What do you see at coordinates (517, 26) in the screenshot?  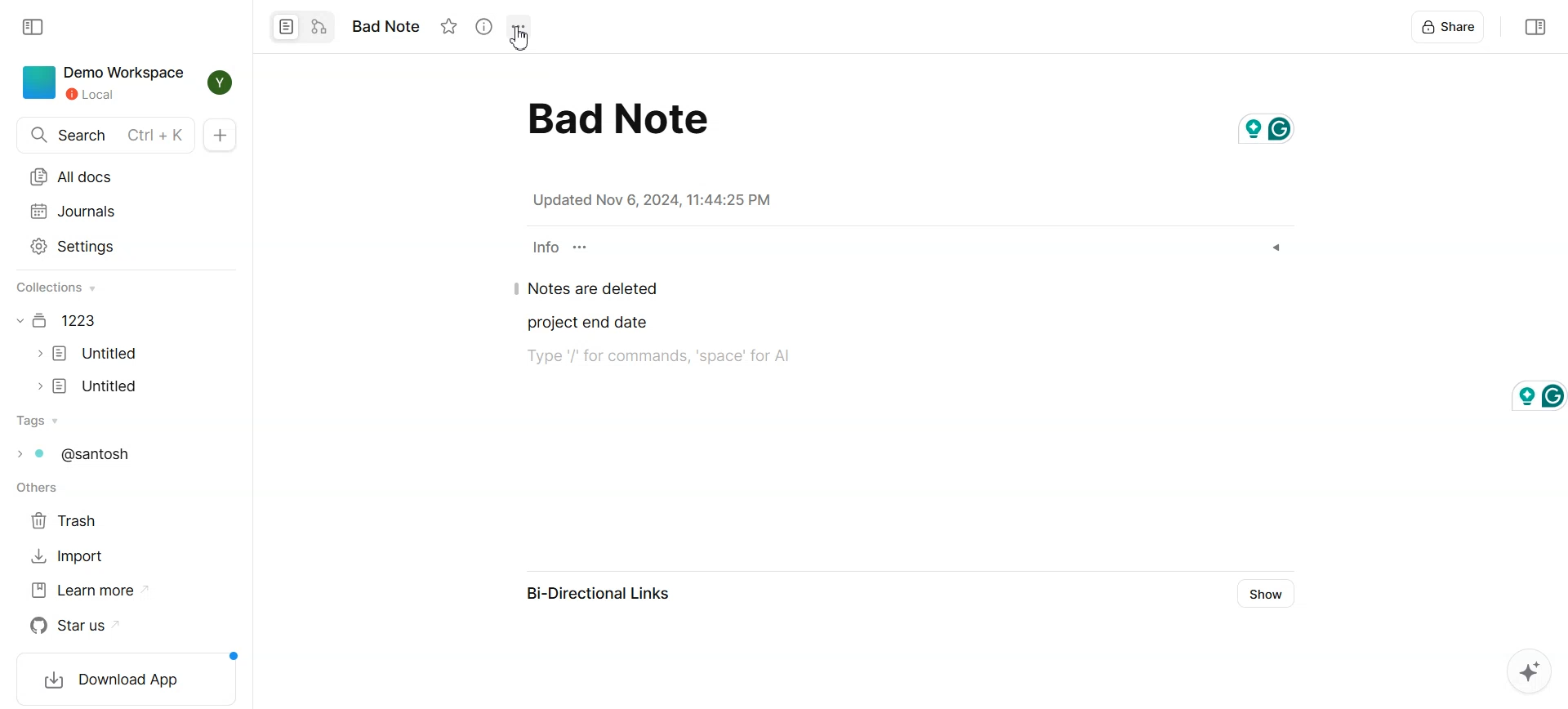 I see `Settings` at bounding box center [517, 26].